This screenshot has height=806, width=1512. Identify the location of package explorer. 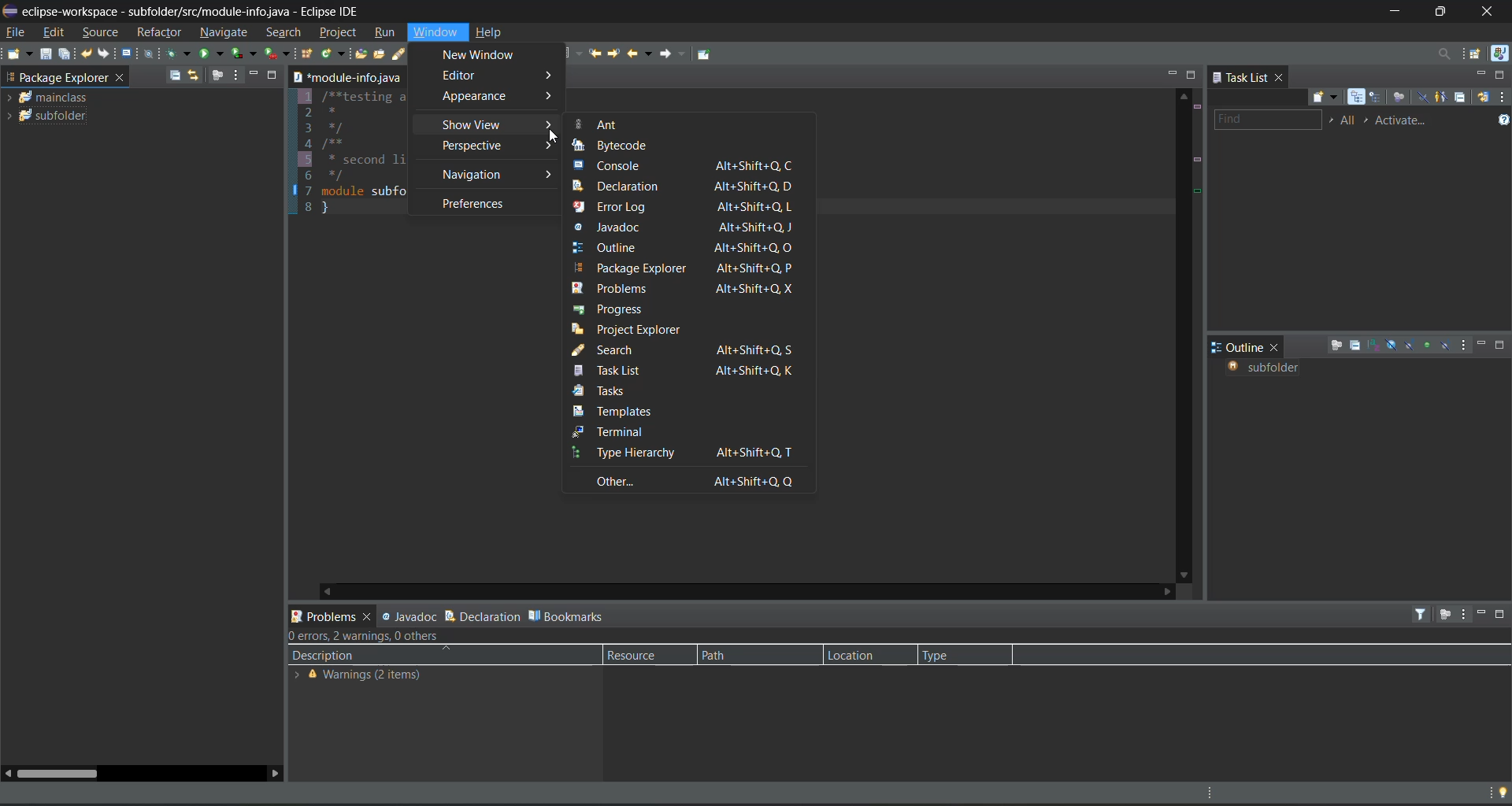
(691, 268).